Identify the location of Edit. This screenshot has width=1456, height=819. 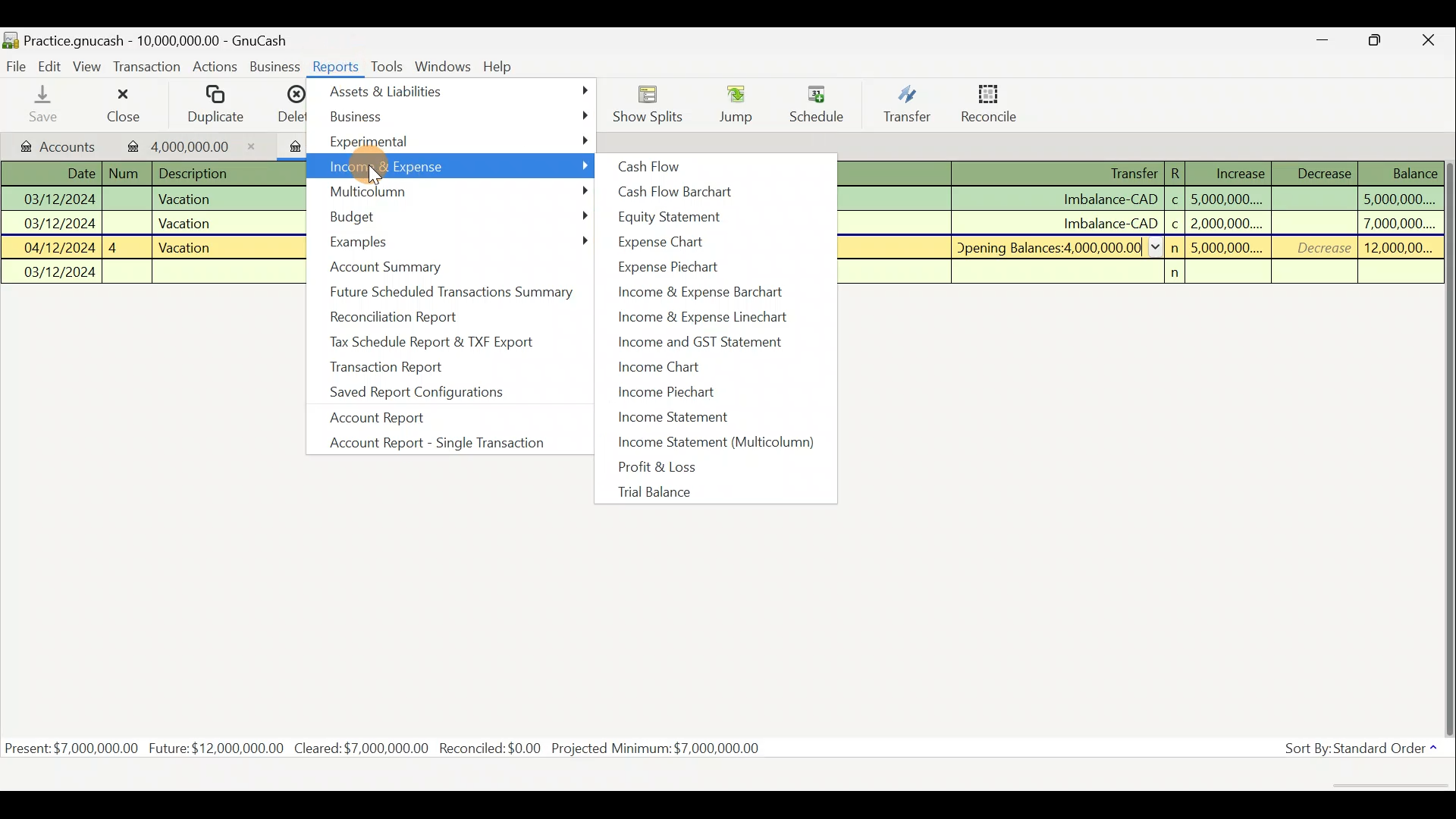
(51, 67).